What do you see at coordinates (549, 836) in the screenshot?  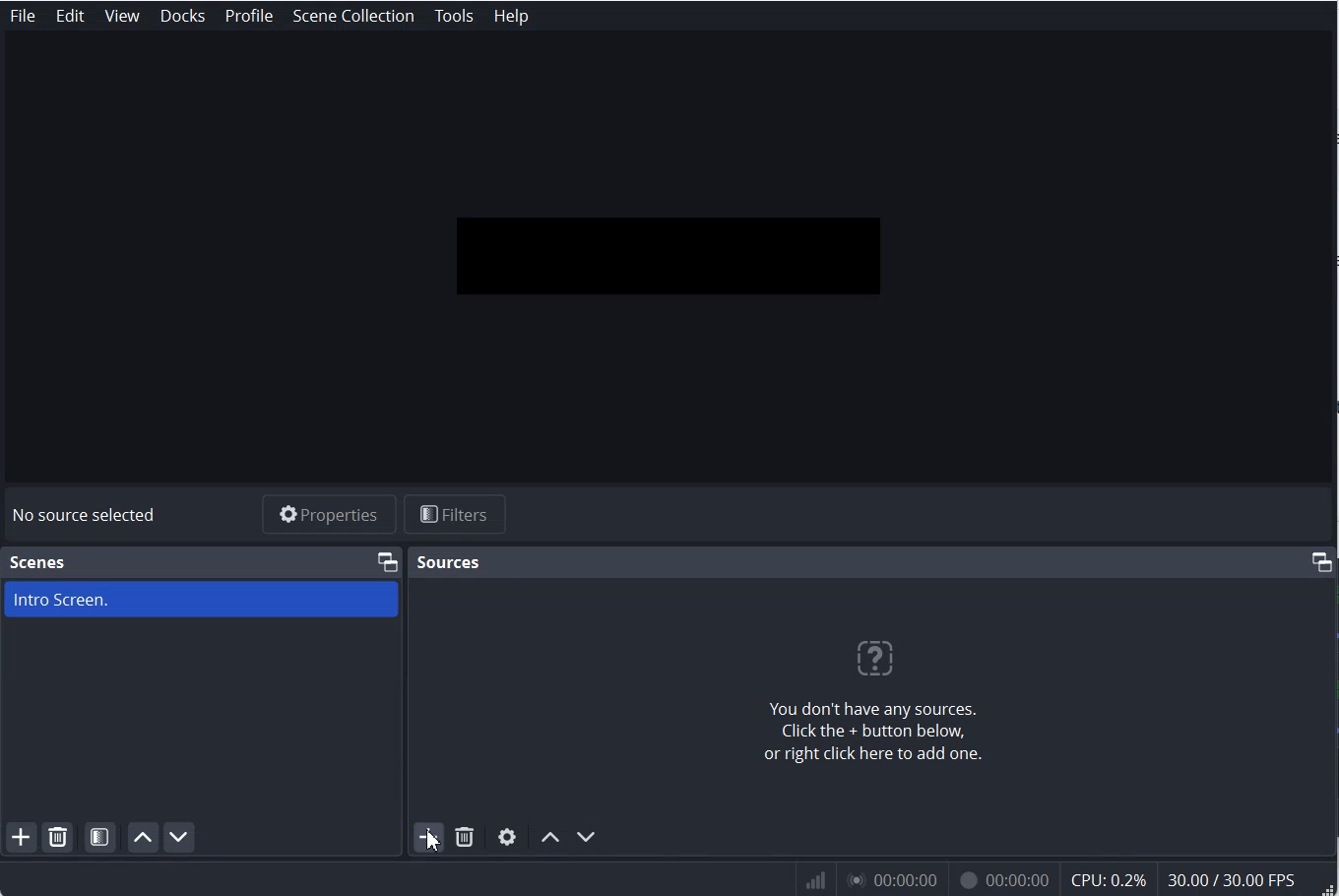 I see `Move Source up` at bounding box center [549, 836].